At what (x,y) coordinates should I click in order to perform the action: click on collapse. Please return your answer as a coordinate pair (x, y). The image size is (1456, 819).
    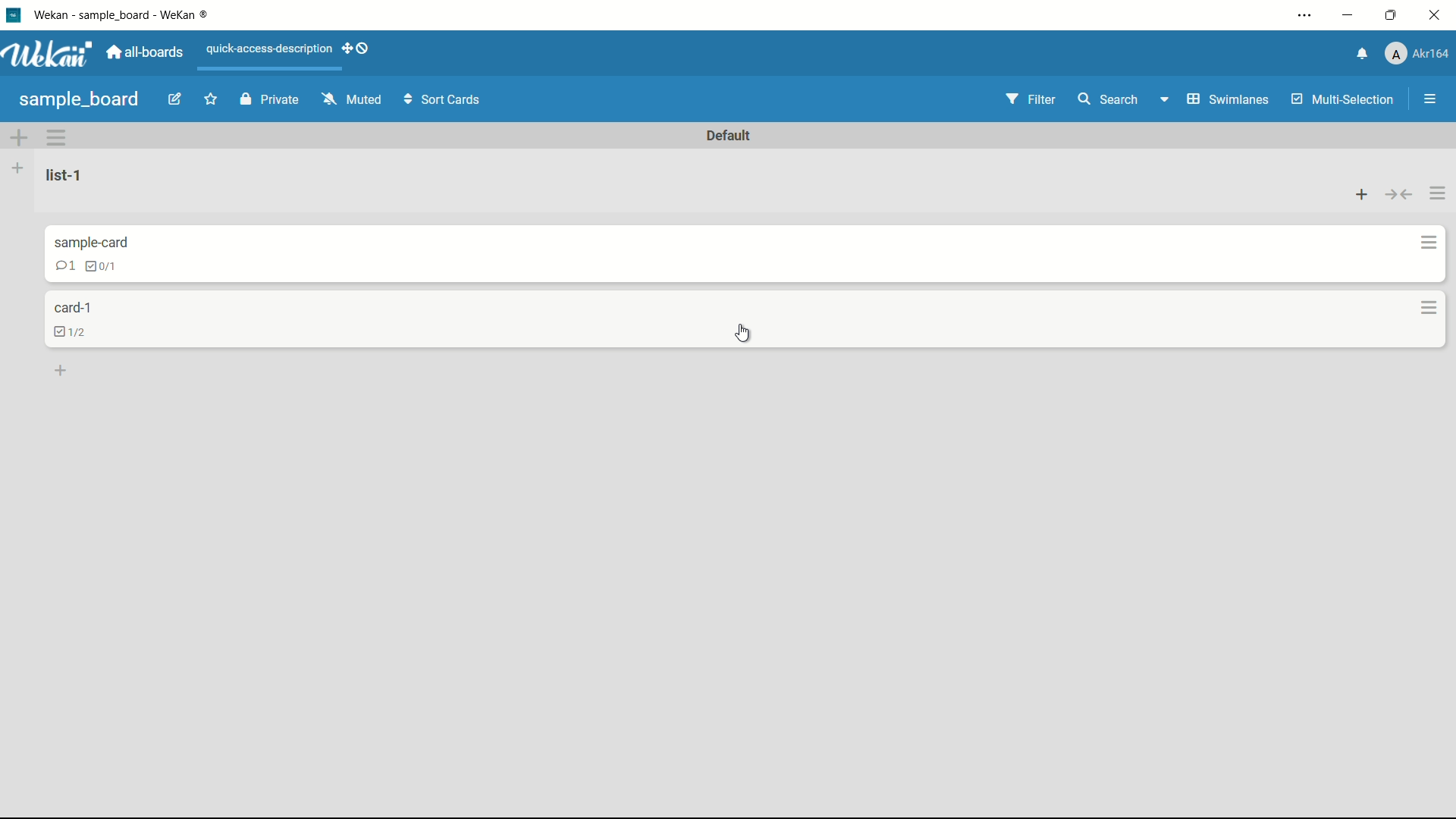
    Looking at the image, I should click on (1398, 190).